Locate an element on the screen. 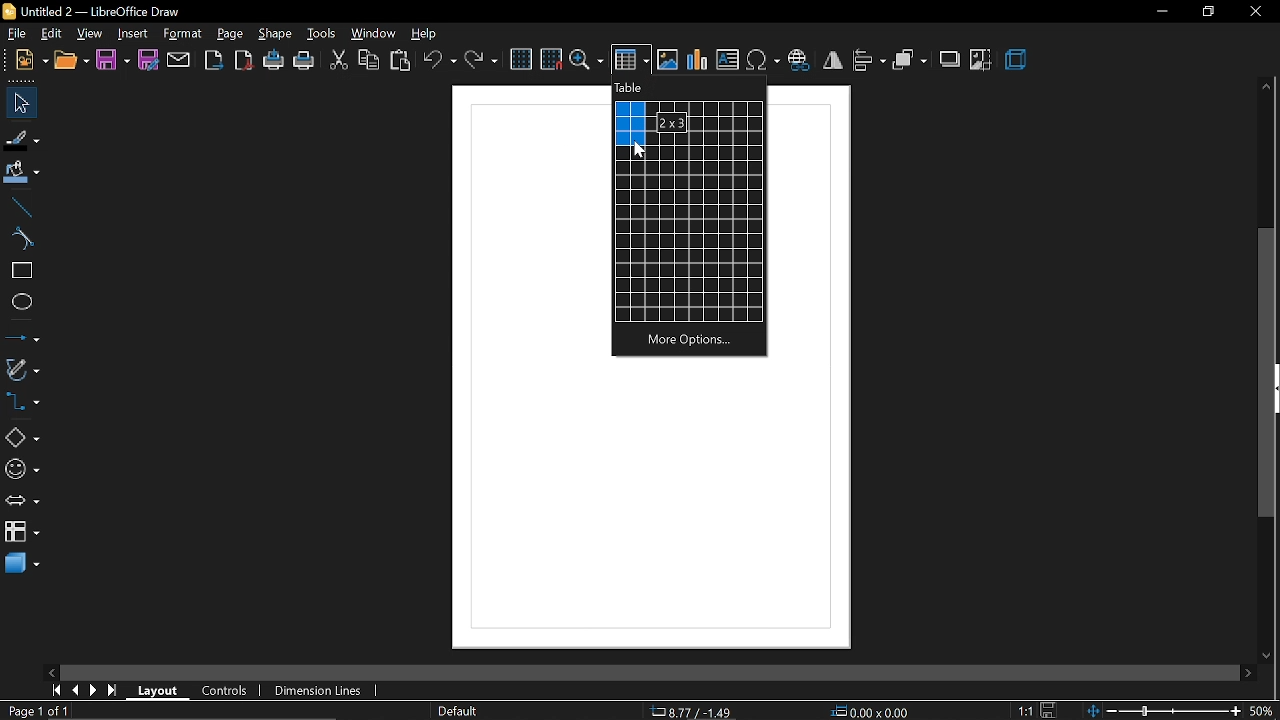 The width and height of the screenshot is (1280, 720). insert text is located at coordinates (728, 59).